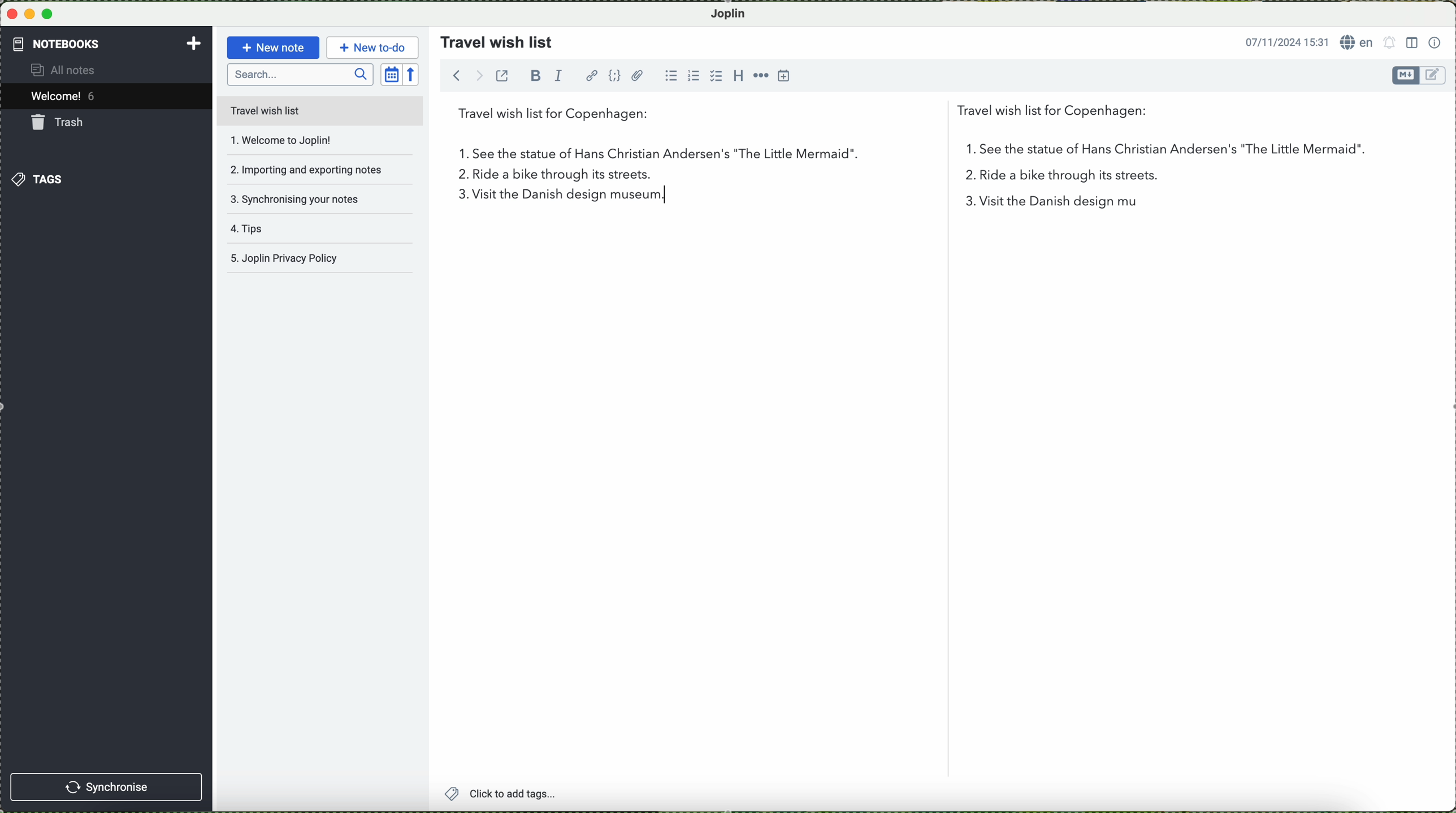 Image resolution: width=1456 pixels, height=813 pixels. I want to click on Joplin, so click(734, 13).